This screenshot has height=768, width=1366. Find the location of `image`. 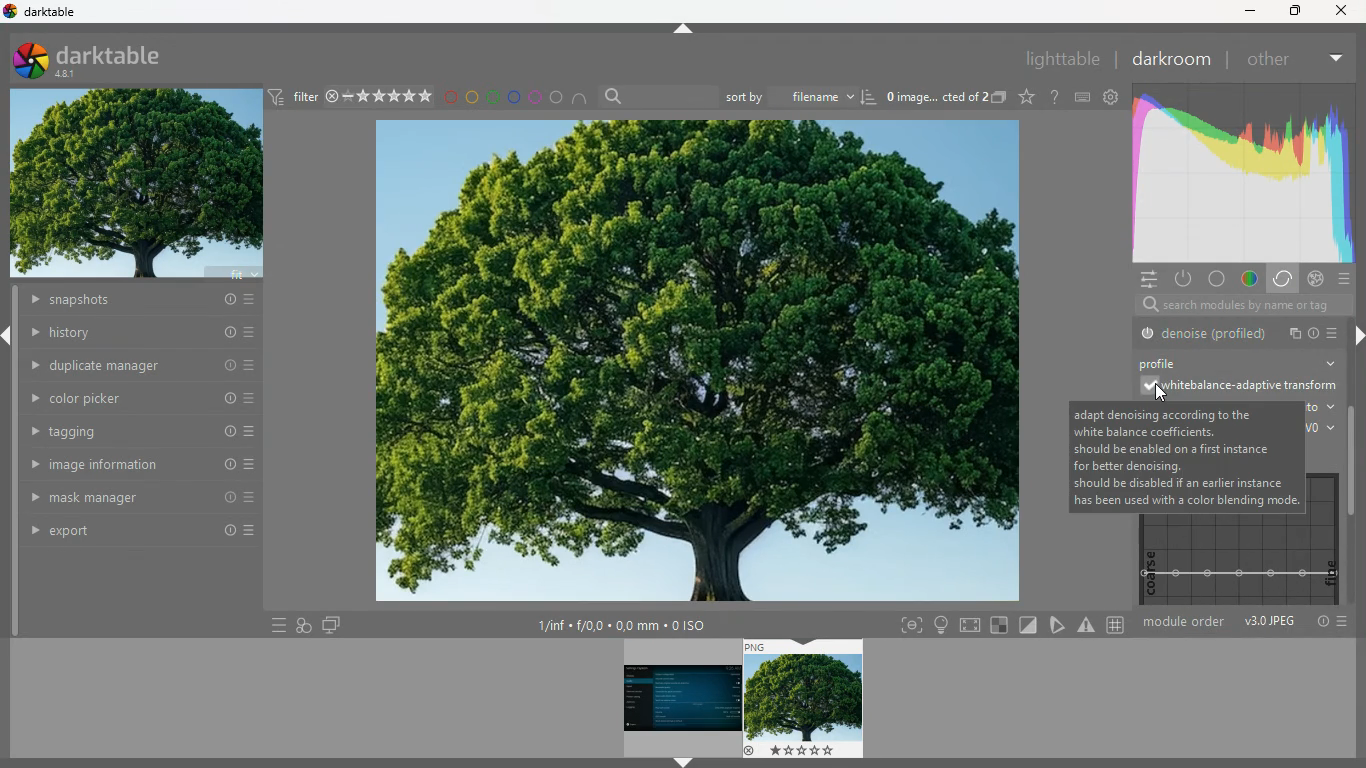

image is located at coordinates (673, 696).